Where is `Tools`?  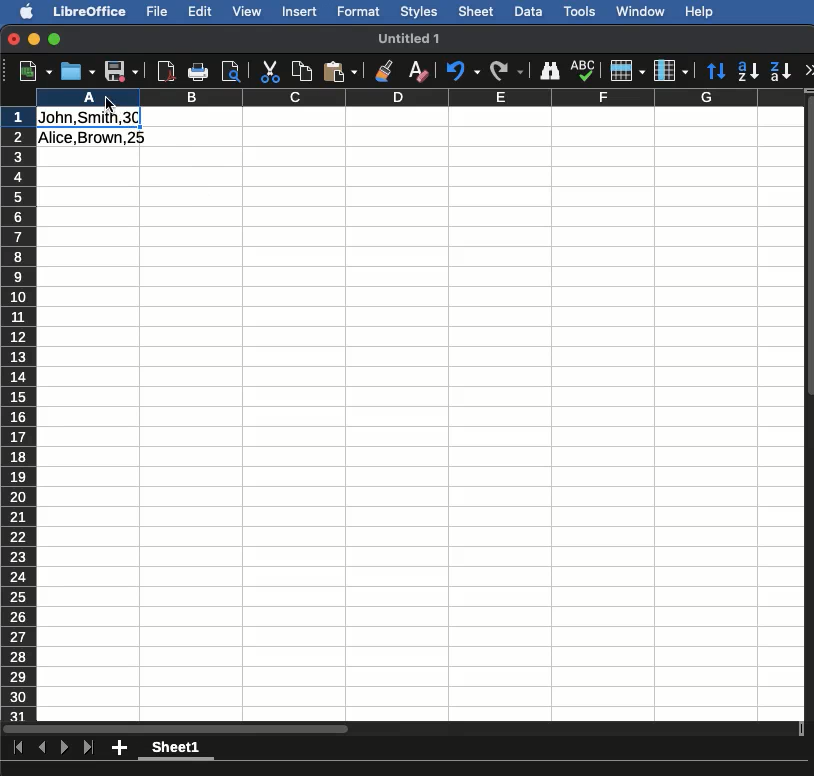
Tools is located at coordinates (581, 12).